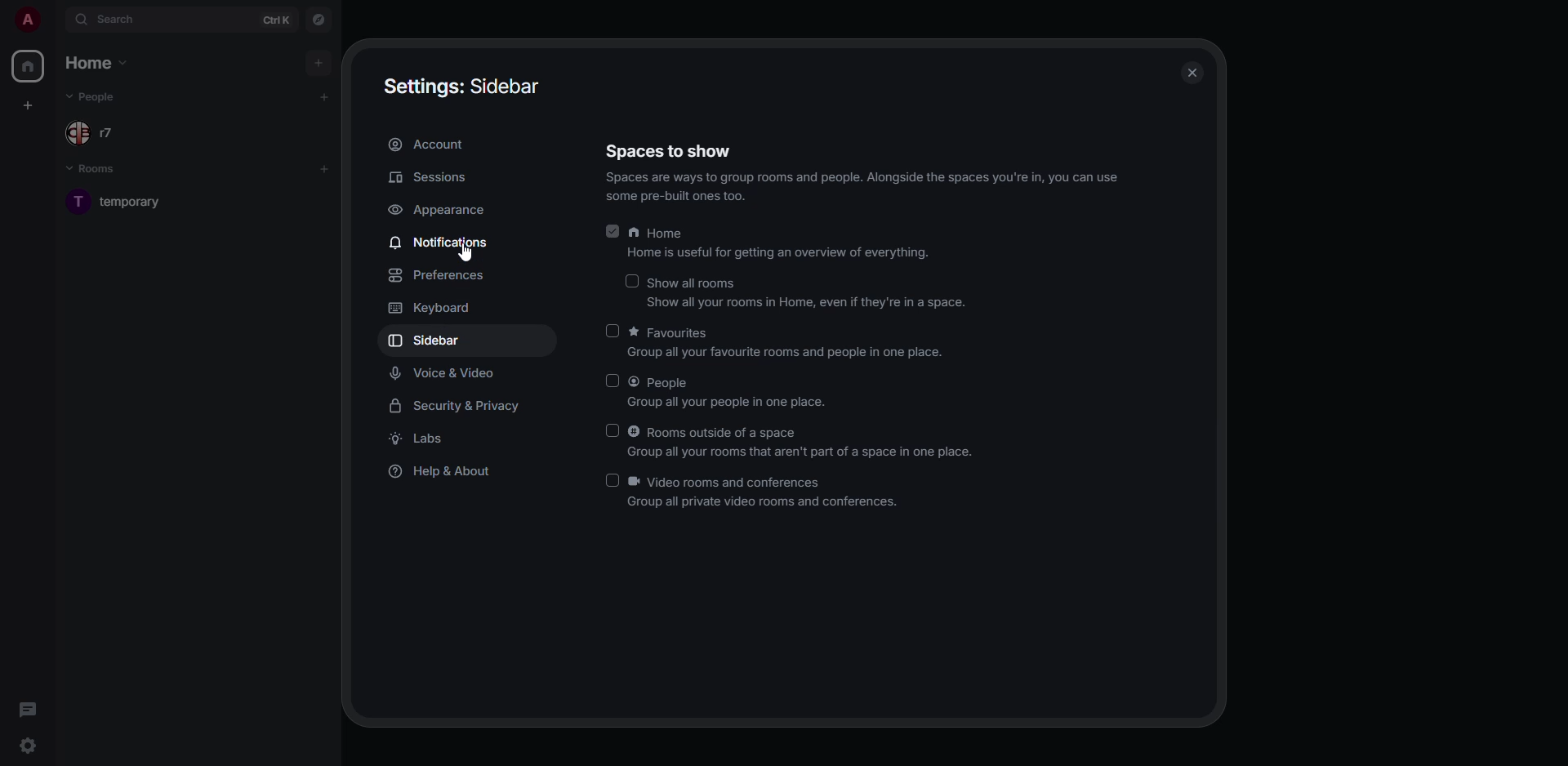  Describe the element at coordinates (779, 245) in the screenshot. I see `home` at that location.